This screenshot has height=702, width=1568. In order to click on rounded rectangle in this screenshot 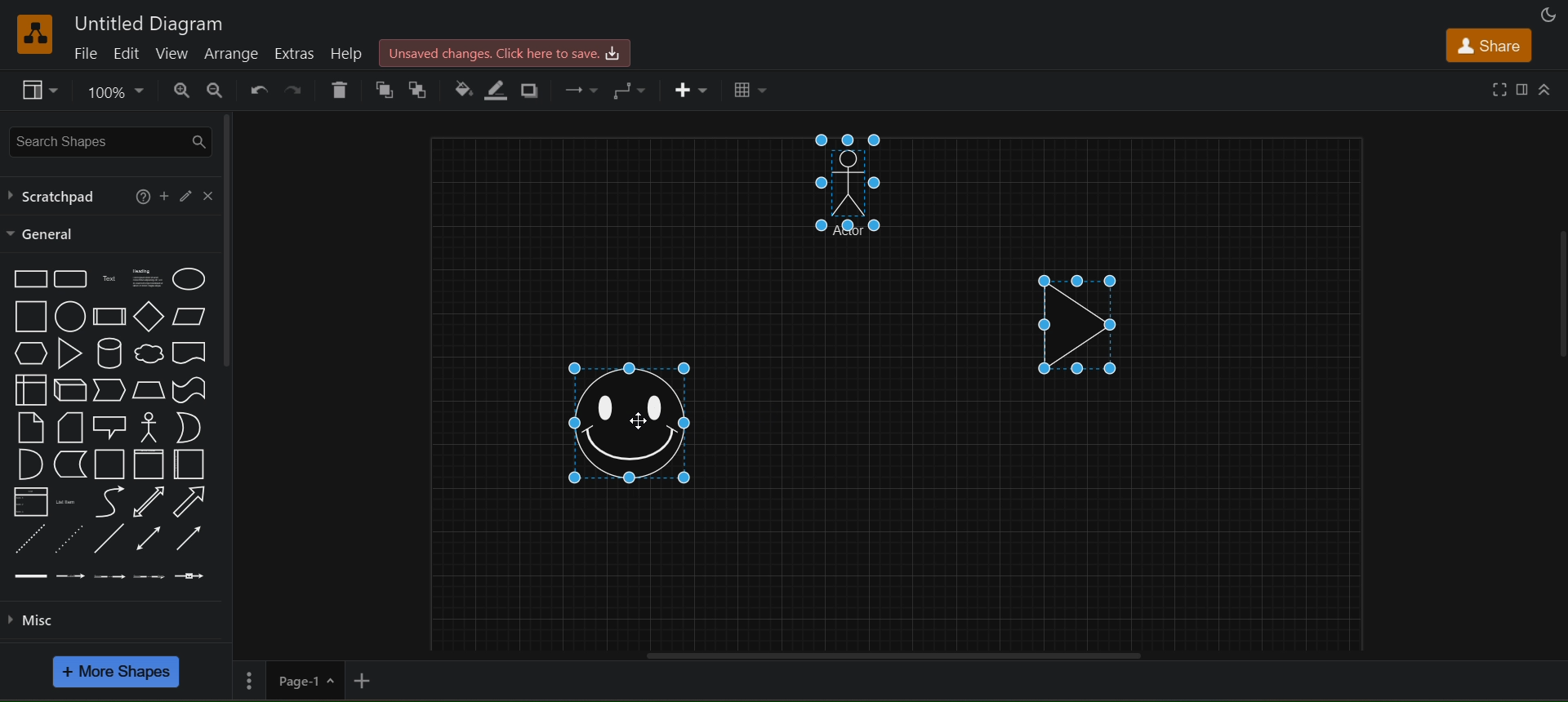, I will do `click(71, 279)`.